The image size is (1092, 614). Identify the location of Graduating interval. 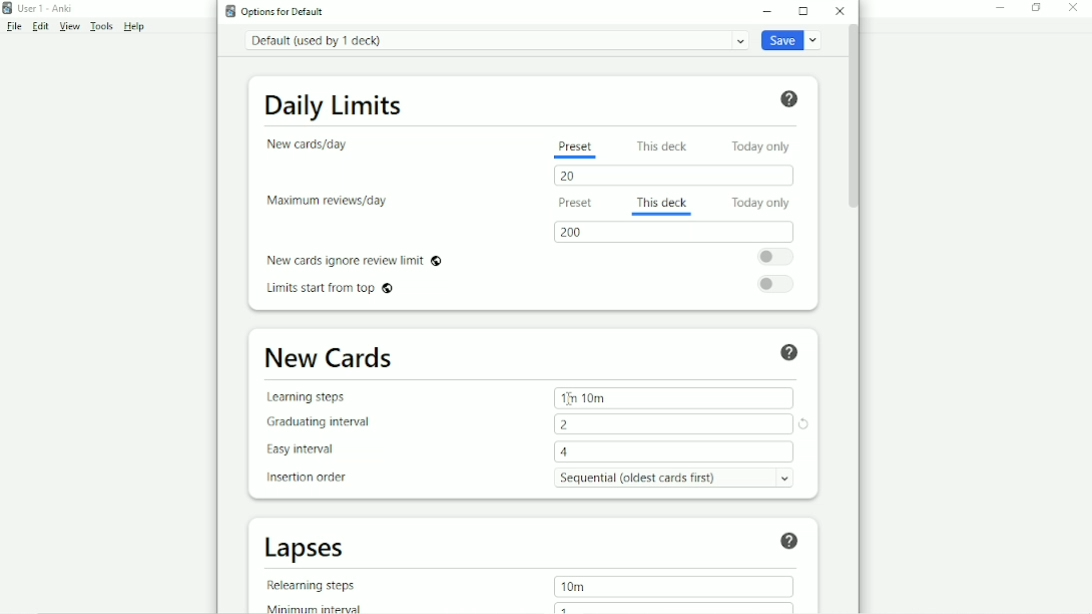
(317, 423).